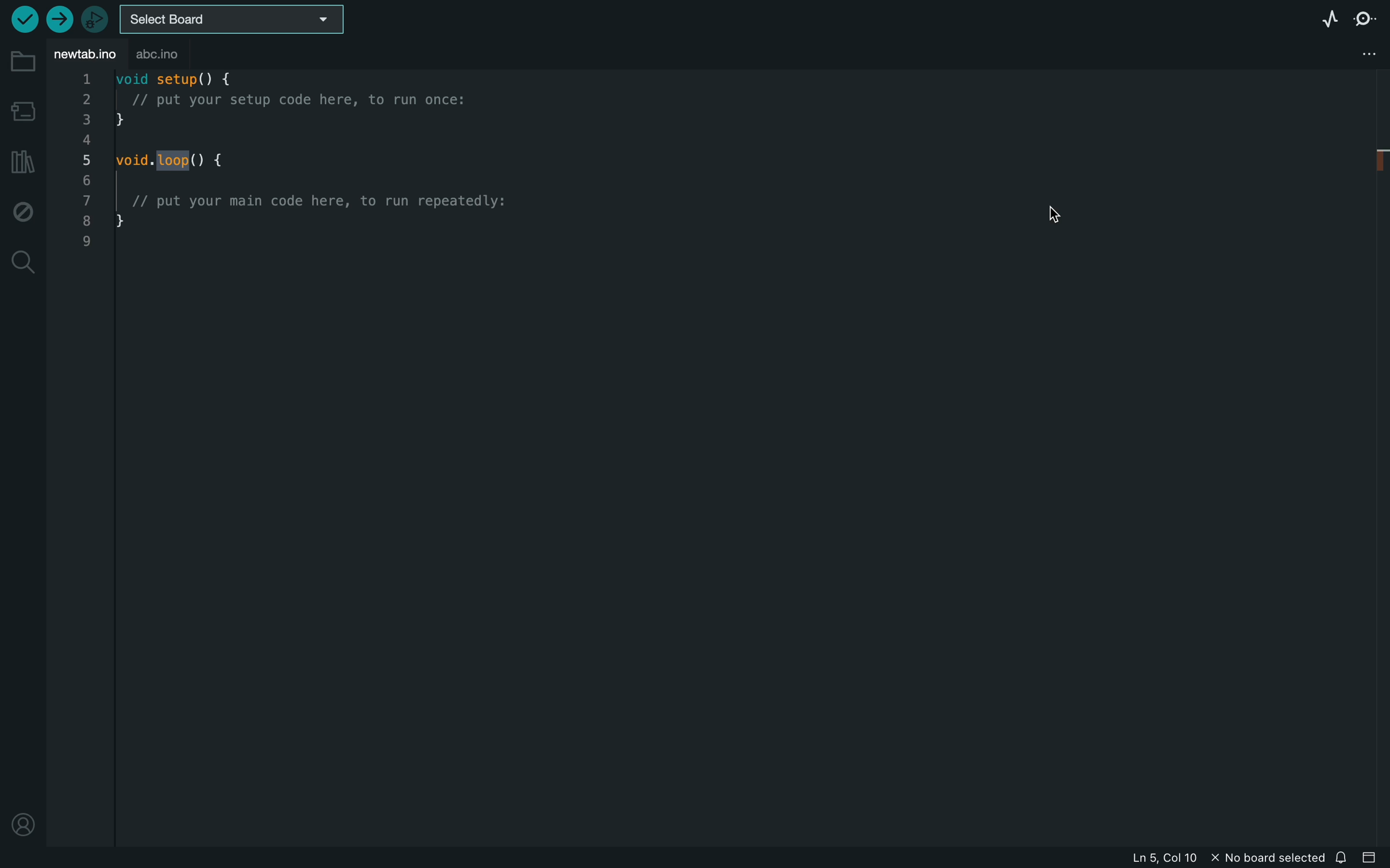 The height and width of the screenshot is (868, 1390). What do you see at coordinates (22, 110) in the screenshot?
I see `board manager` at bounding box center [22, 110].